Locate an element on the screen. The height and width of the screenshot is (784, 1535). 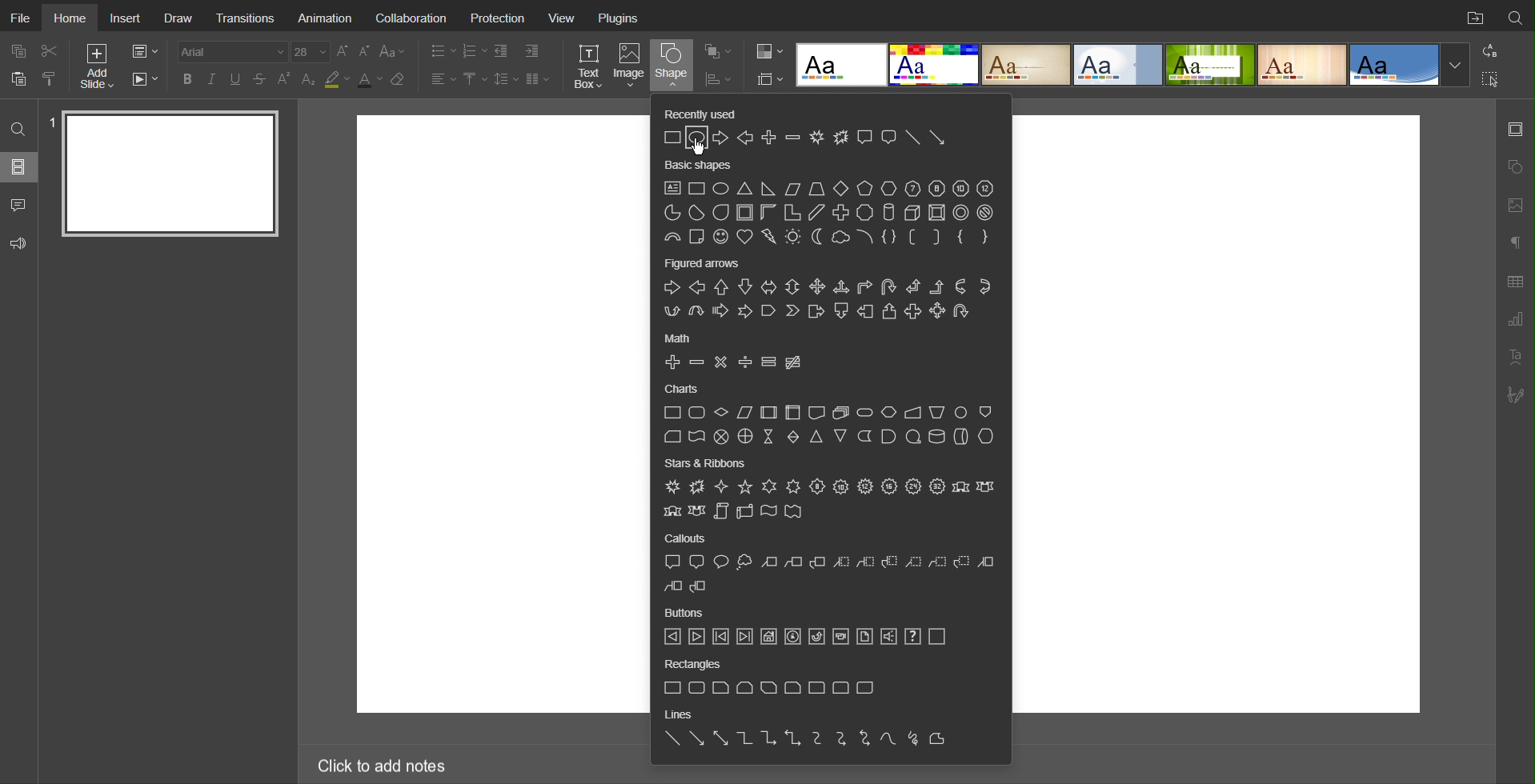
Math is located at coordinates (748, 352).